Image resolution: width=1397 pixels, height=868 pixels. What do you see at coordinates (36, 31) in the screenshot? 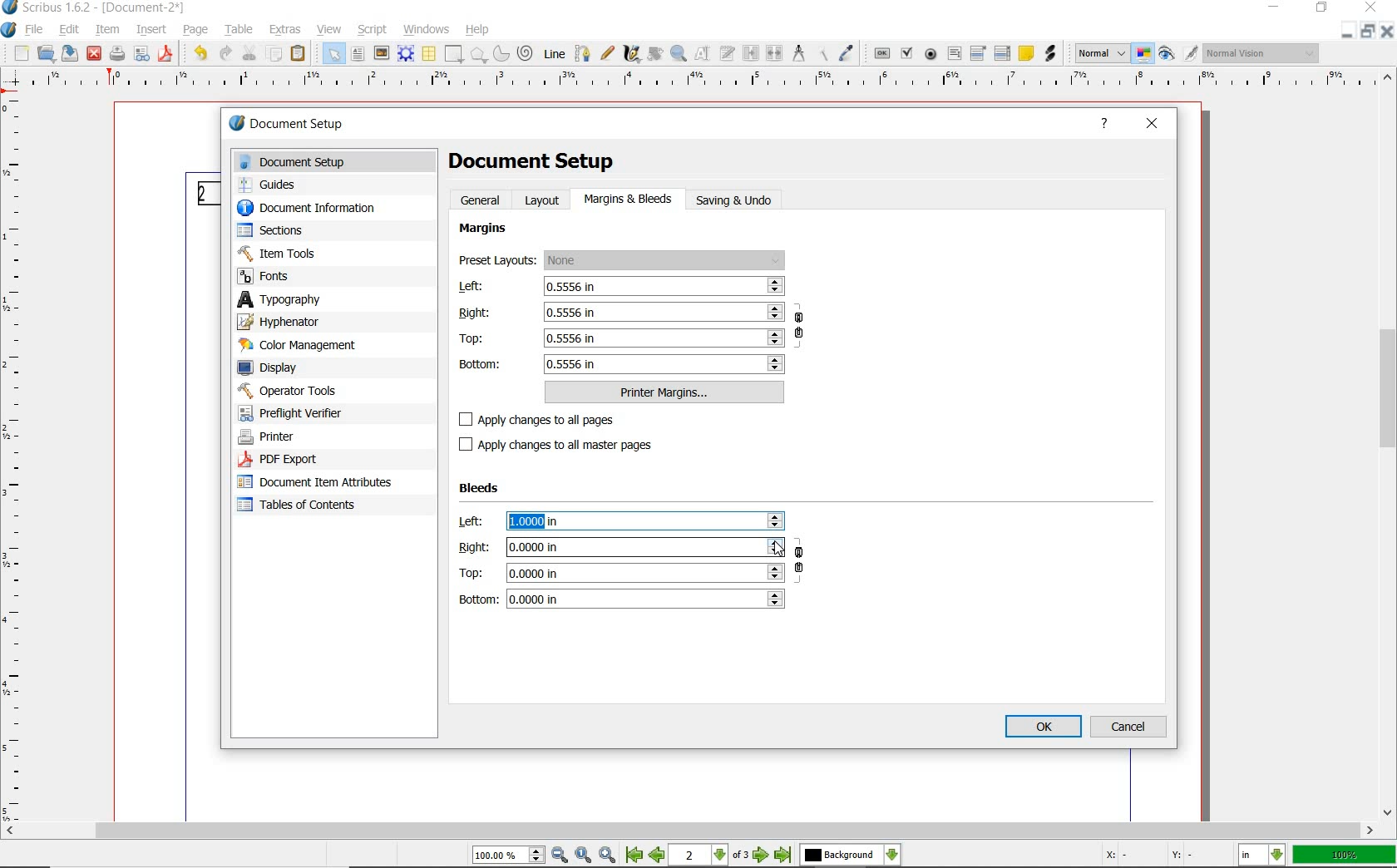
I see `file` at bounding box center [36, 31].